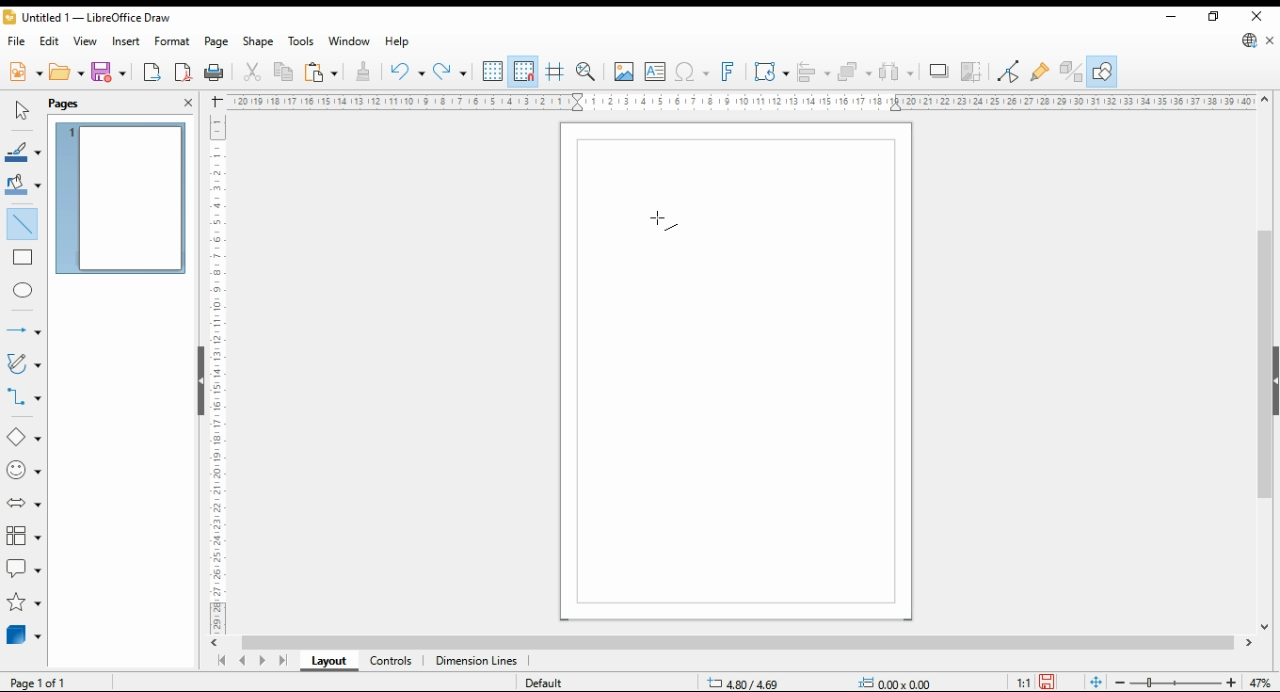  I want to click on dimension, so click(477, 662).